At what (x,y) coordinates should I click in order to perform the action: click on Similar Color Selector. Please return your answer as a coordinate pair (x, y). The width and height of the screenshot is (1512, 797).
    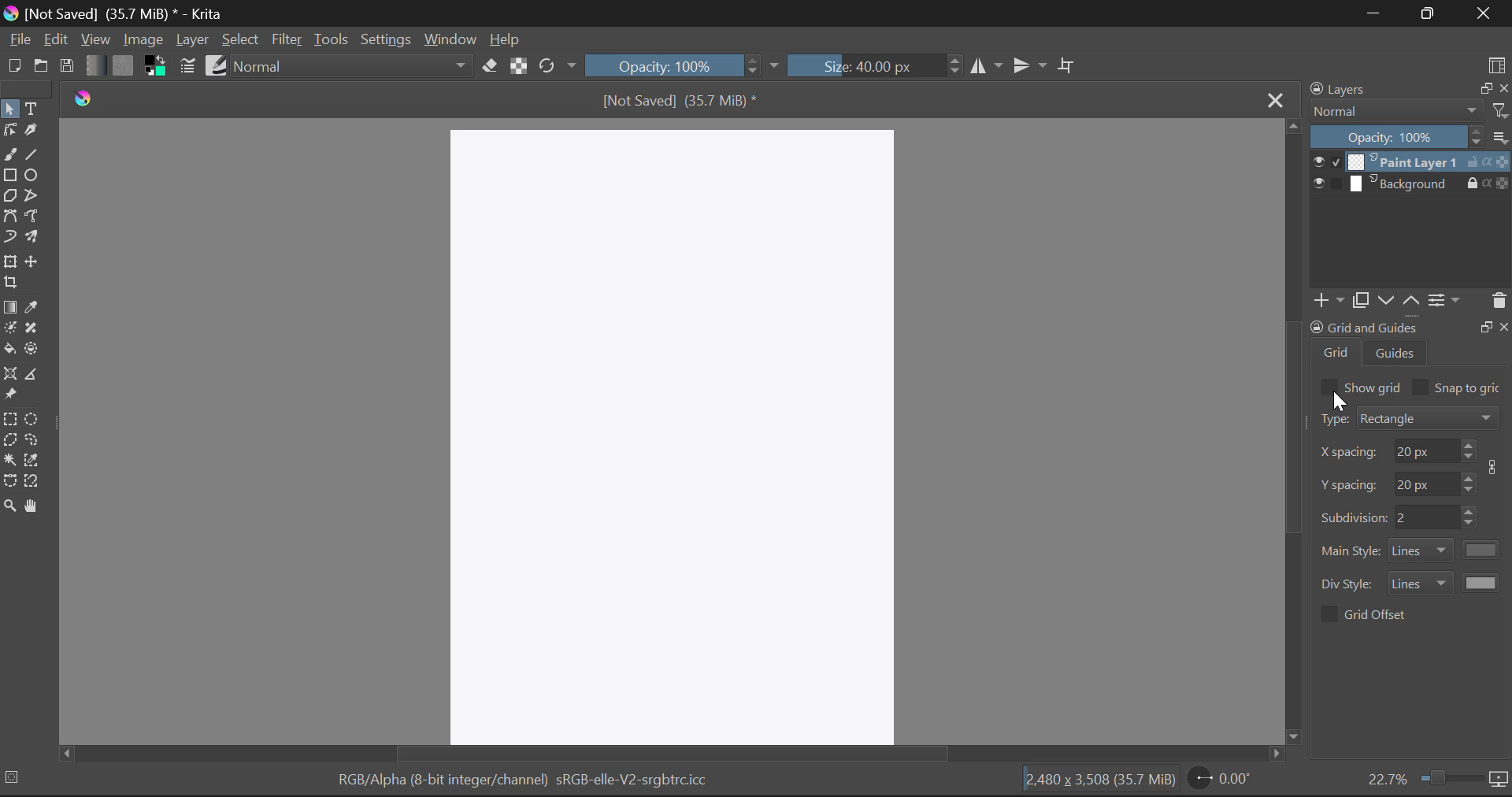
    Looking at the image, I should click on (32, 459).